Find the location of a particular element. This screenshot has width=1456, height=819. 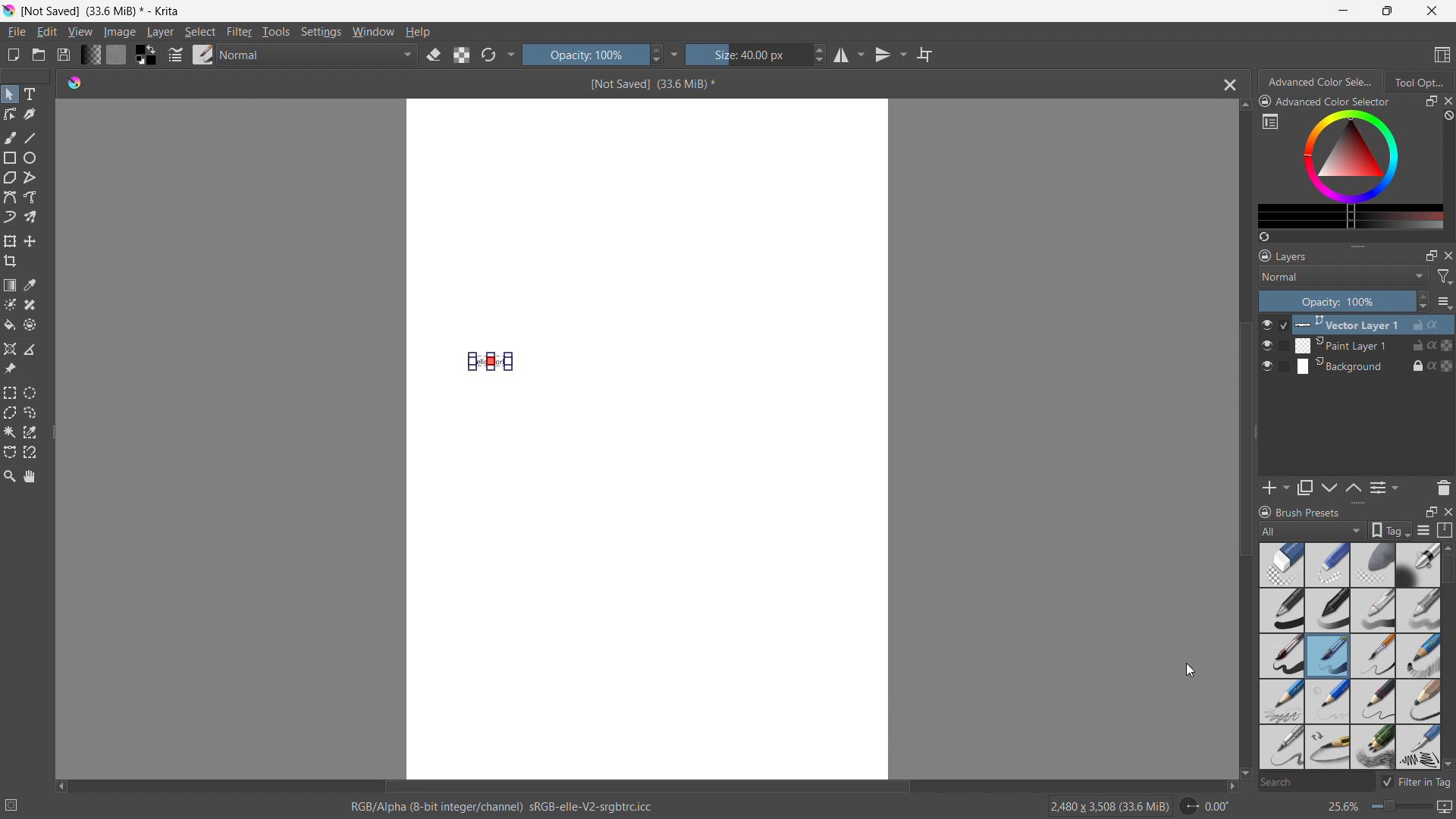

canvas is located at coordinates (648, 579).